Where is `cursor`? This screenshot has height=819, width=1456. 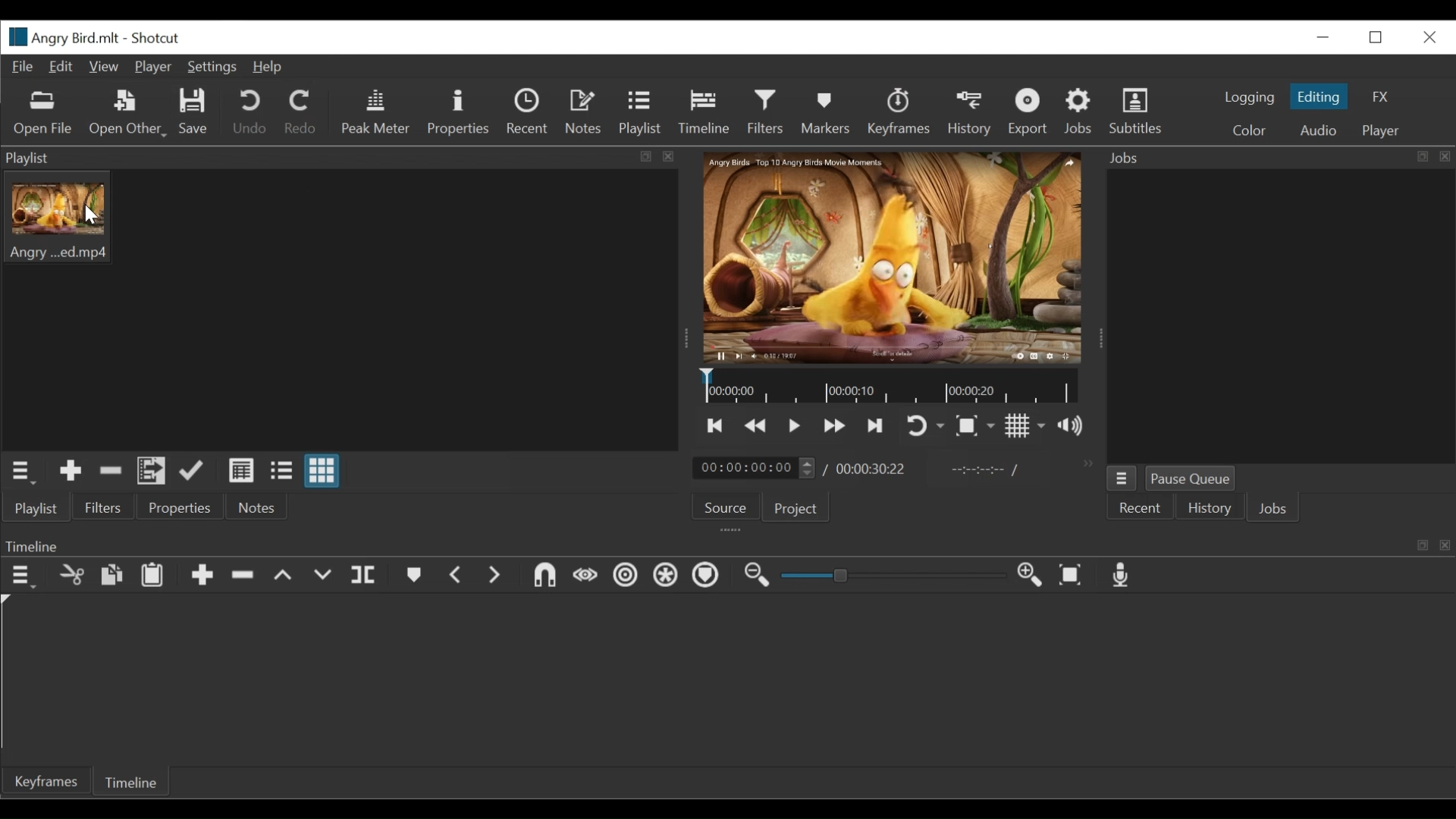
cursor is located at coordinates (95, 217).